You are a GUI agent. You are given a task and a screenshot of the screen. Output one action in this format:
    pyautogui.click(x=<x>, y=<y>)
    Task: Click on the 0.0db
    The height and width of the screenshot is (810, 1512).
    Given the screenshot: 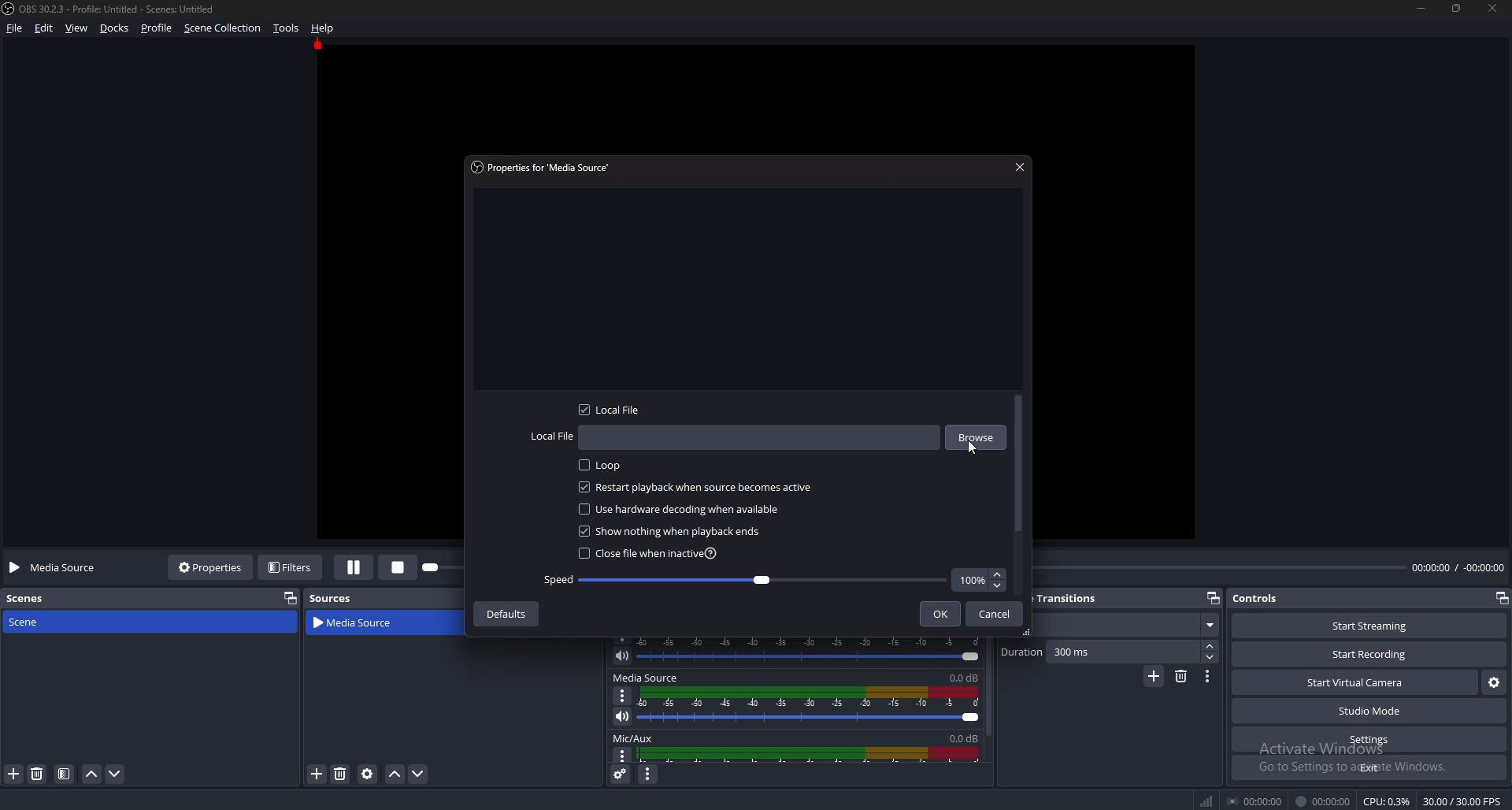 What is the action you would take?
    pyautogui.click(x=960, y=736)
    